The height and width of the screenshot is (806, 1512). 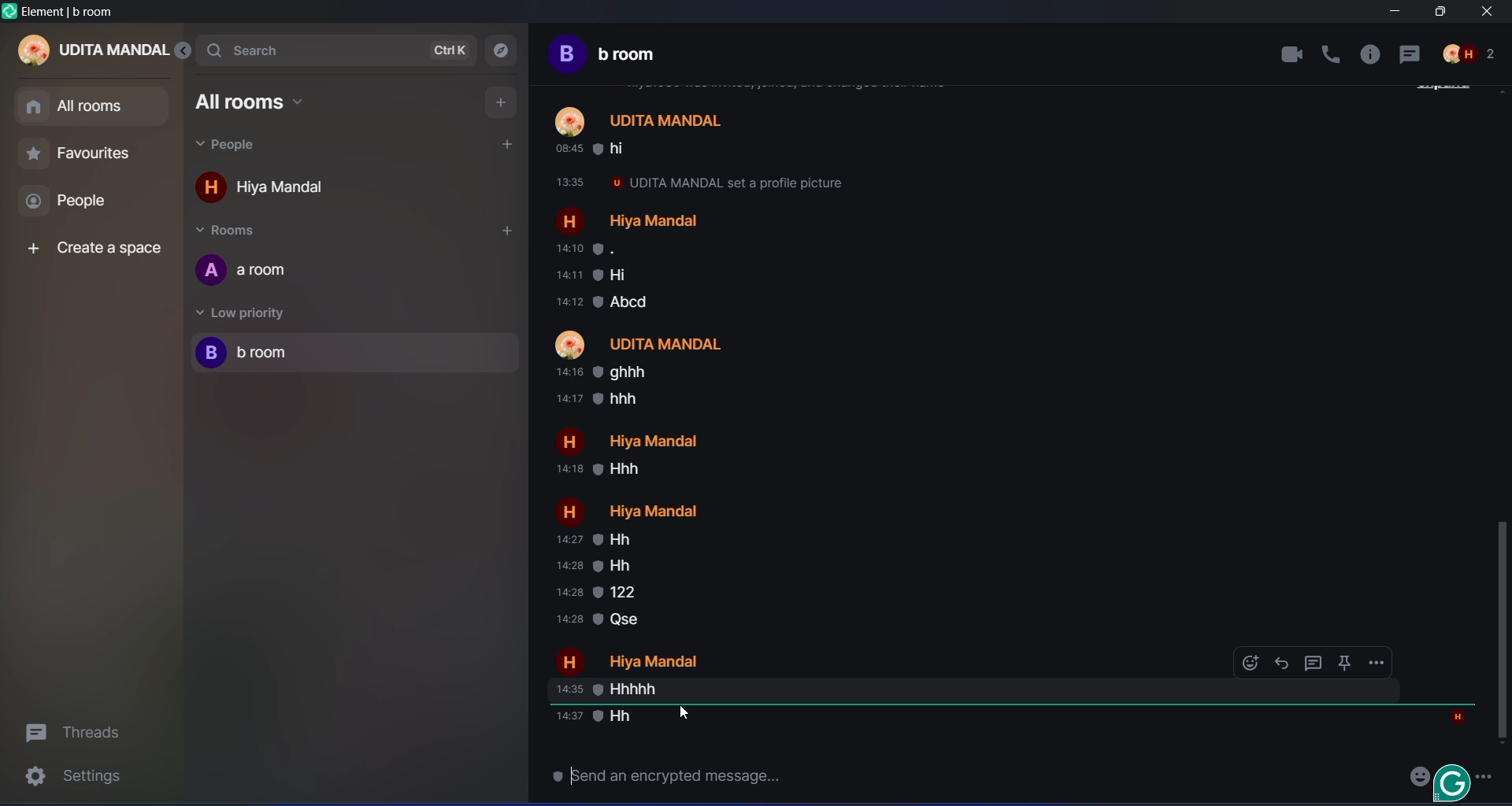 What do you see at coordinates (507, 143) in the screenshot?
I see `add people` at bounding box center [507, 143].